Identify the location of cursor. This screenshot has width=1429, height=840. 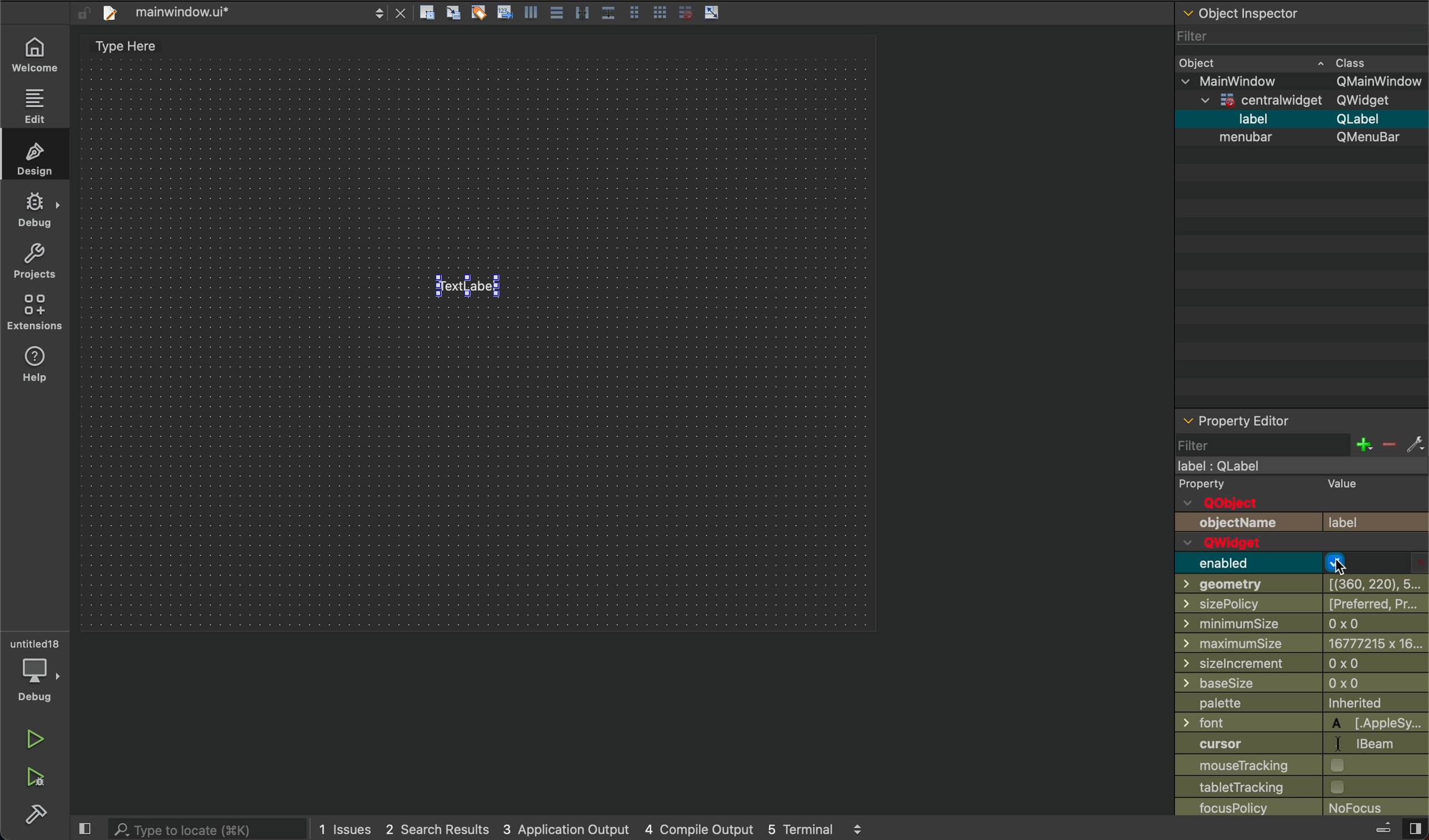
(1345, 568).